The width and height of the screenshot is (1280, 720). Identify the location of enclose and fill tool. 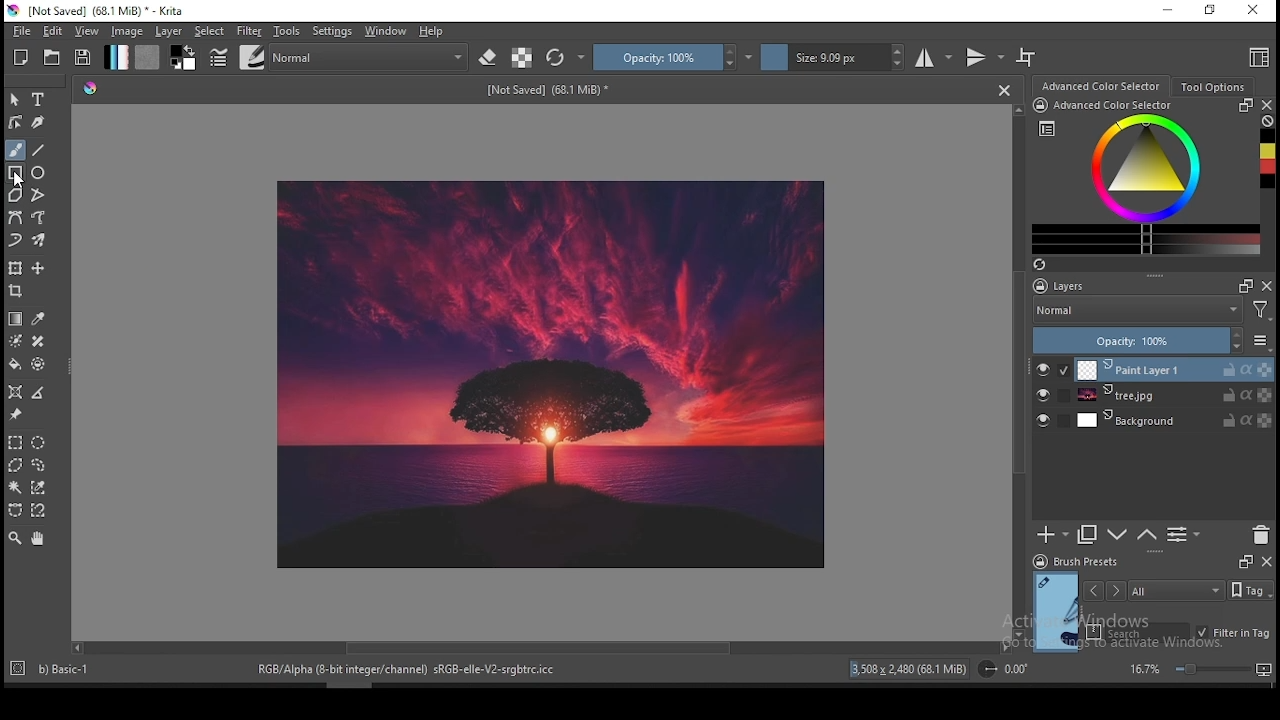
(41, 364).